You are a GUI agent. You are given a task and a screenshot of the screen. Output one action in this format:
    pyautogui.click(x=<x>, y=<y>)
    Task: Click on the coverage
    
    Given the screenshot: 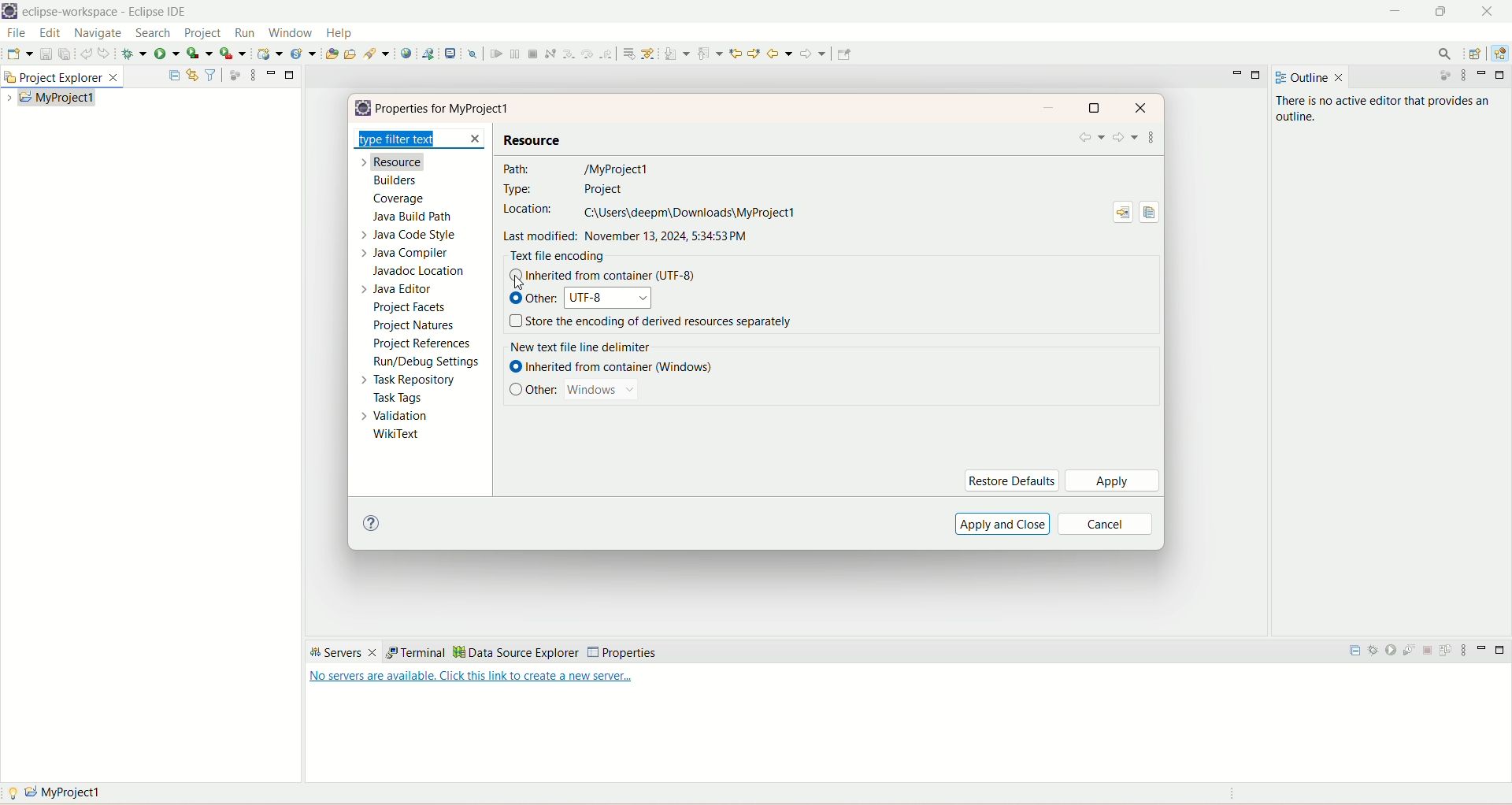 What is the action you would take?
    pyautogui.click(x=399, y=200)
    